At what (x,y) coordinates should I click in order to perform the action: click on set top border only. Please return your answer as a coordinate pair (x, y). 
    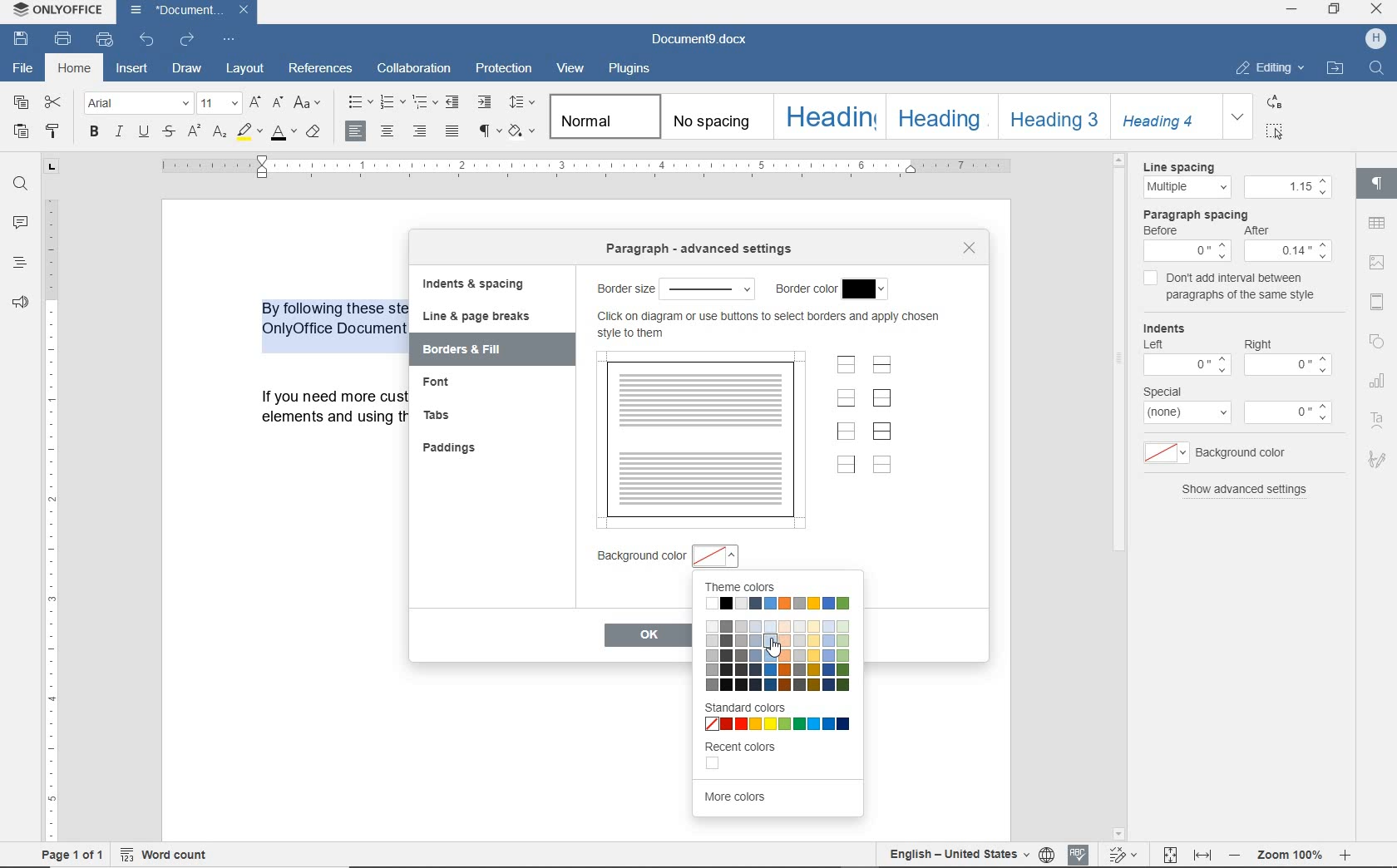
    Looking at the image, I should click on (847, 365).